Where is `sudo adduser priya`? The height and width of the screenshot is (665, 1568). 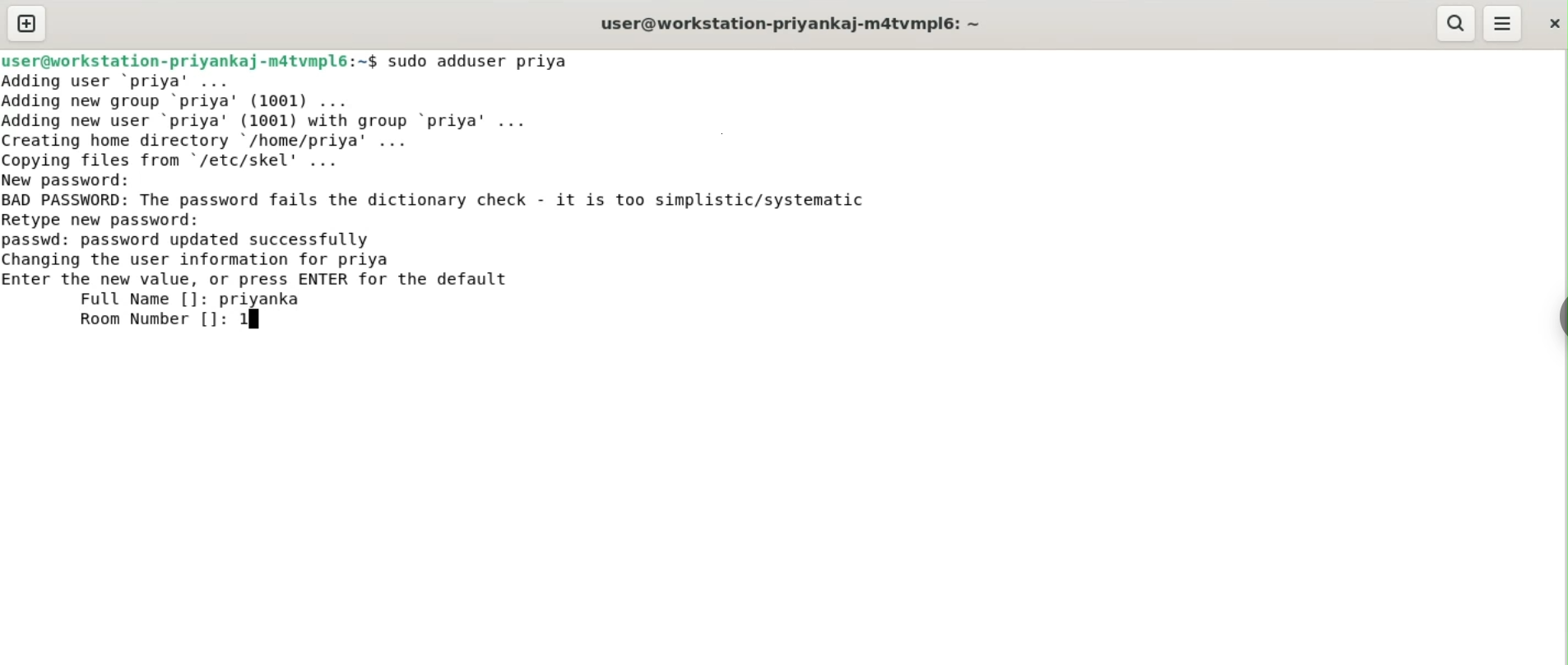 sudo adduser priya is located at coordinates (480, 61).